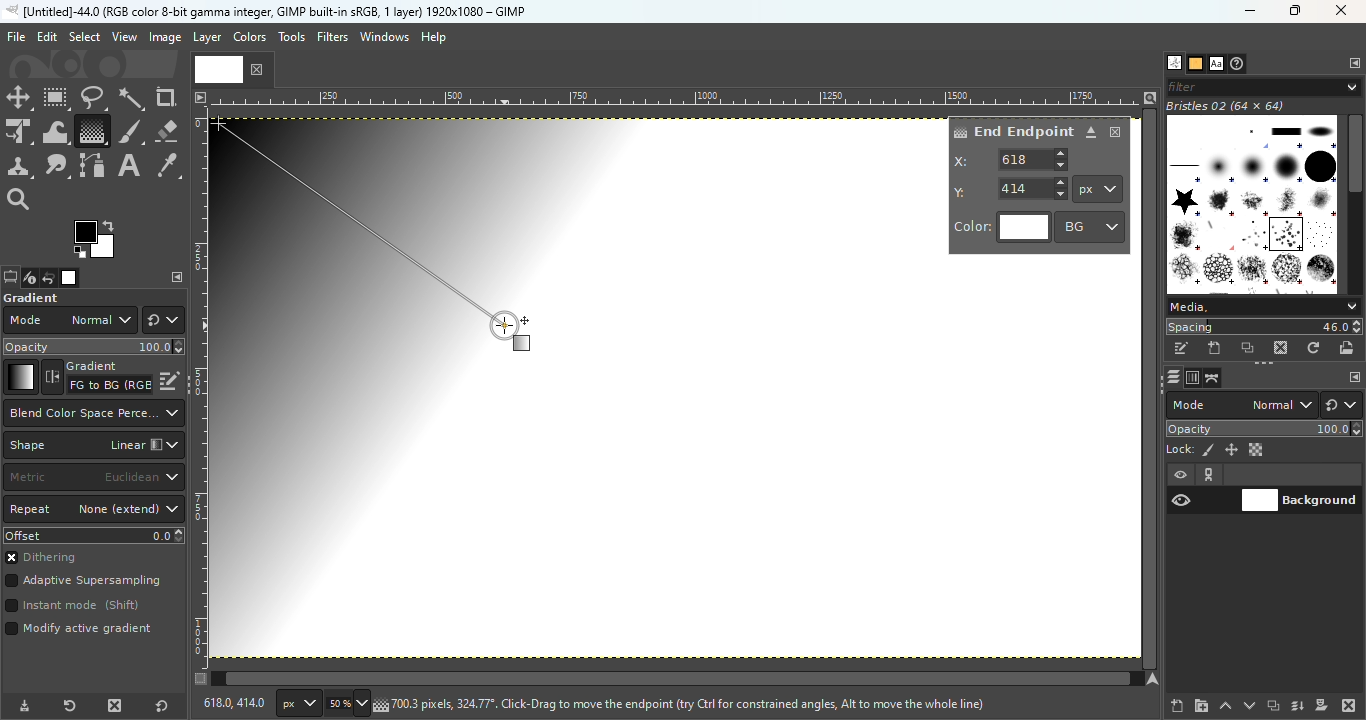 The height and width of the screenshot is (720, 1366). Describe the element at coordinates (1322, 705) in the screenshot. I see `Add a mask that allows non destructive editing of transperency` at that location.